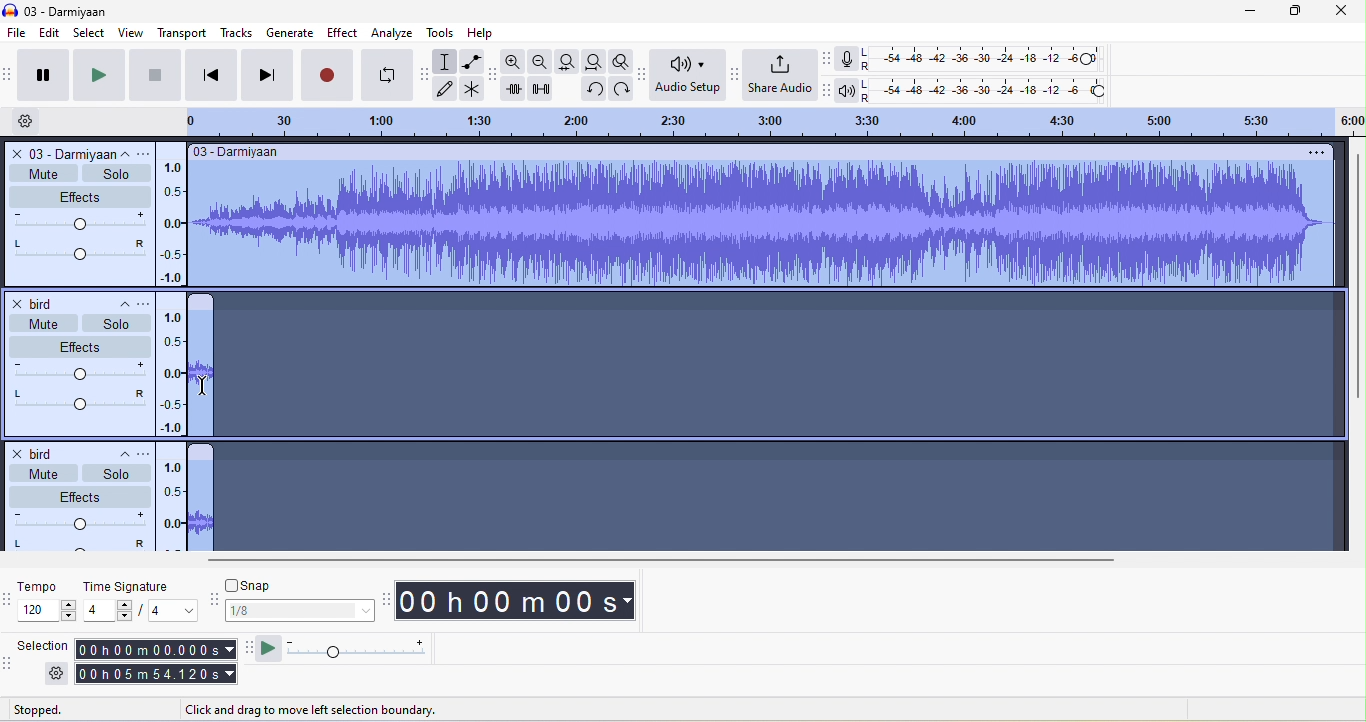 This screenshot has height=722, width=1366. What do you see at coordinates (441, 32) in the screenshot?
I see `tools` at bounding box center [441, 32].